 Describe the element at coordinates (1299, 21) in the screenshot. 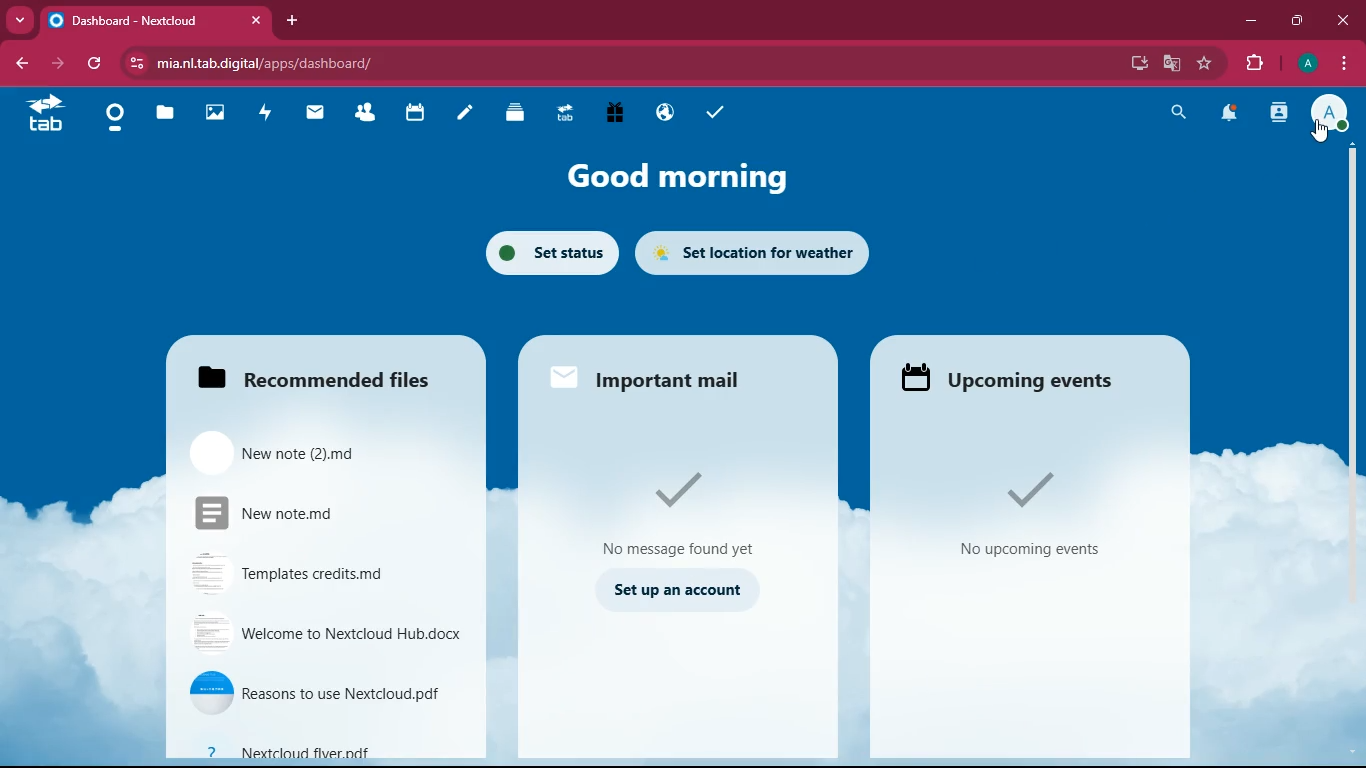

I see `maximize` at that location.